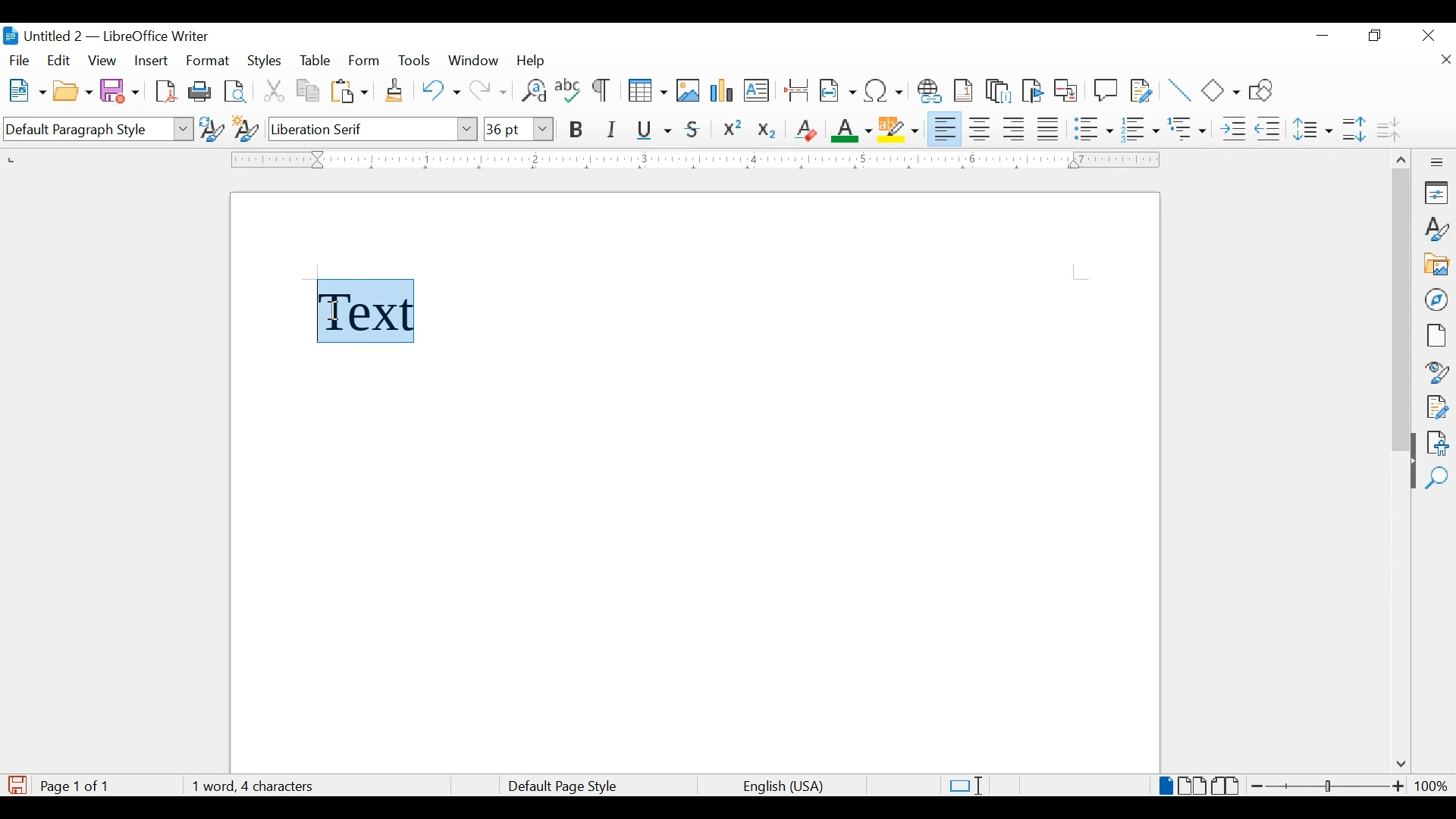 Image resolution: width=1456 pixels, height=819 pixels. I want to click on insert cross-reference, so click(1066, 89).